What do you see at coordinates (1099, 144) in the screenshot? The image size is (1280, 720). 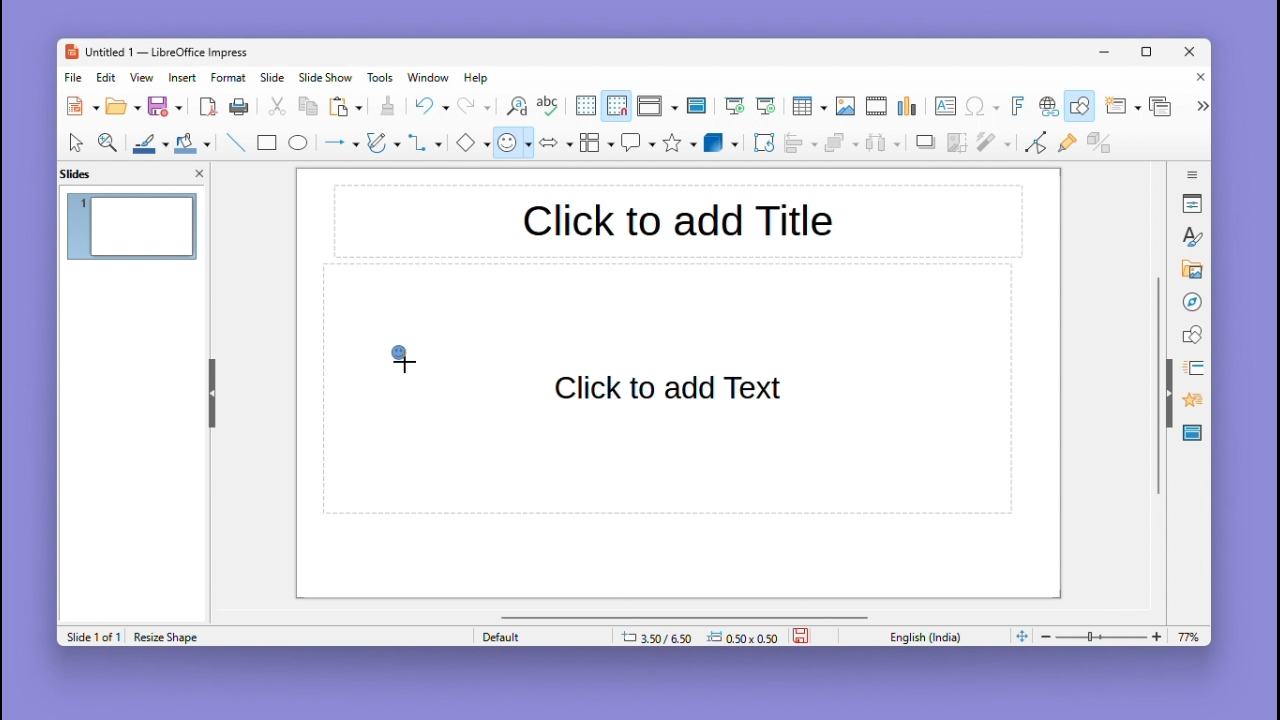 I see `Toggle extrusion` at bounding box center [1099, 144].